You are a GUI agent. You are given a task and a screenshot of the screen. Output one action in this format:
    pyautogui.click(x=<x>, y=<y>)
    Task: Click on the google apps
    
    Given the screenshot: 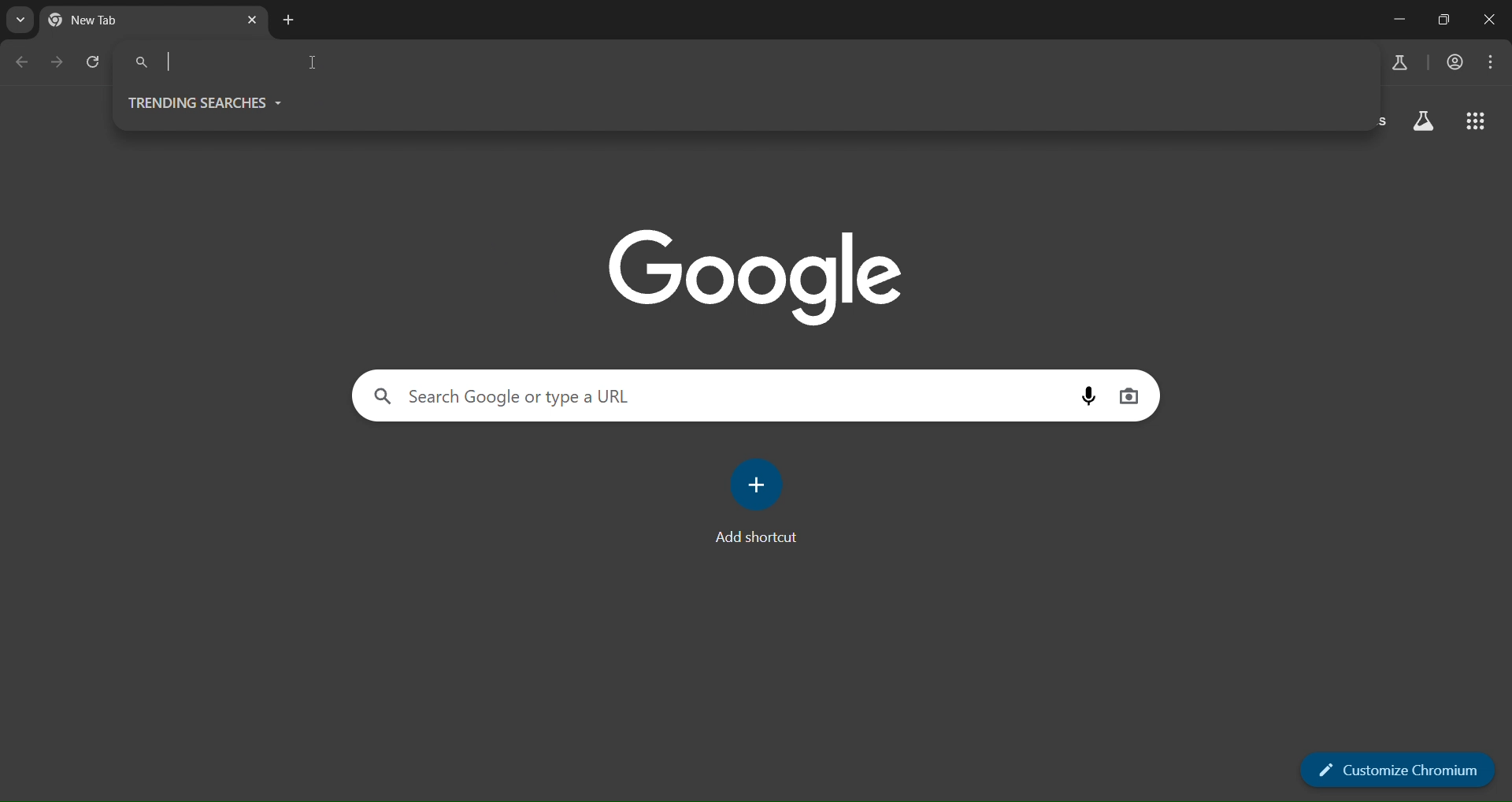 What is the action you would take?
    pyautogui.click(x=1476, y=123)
    